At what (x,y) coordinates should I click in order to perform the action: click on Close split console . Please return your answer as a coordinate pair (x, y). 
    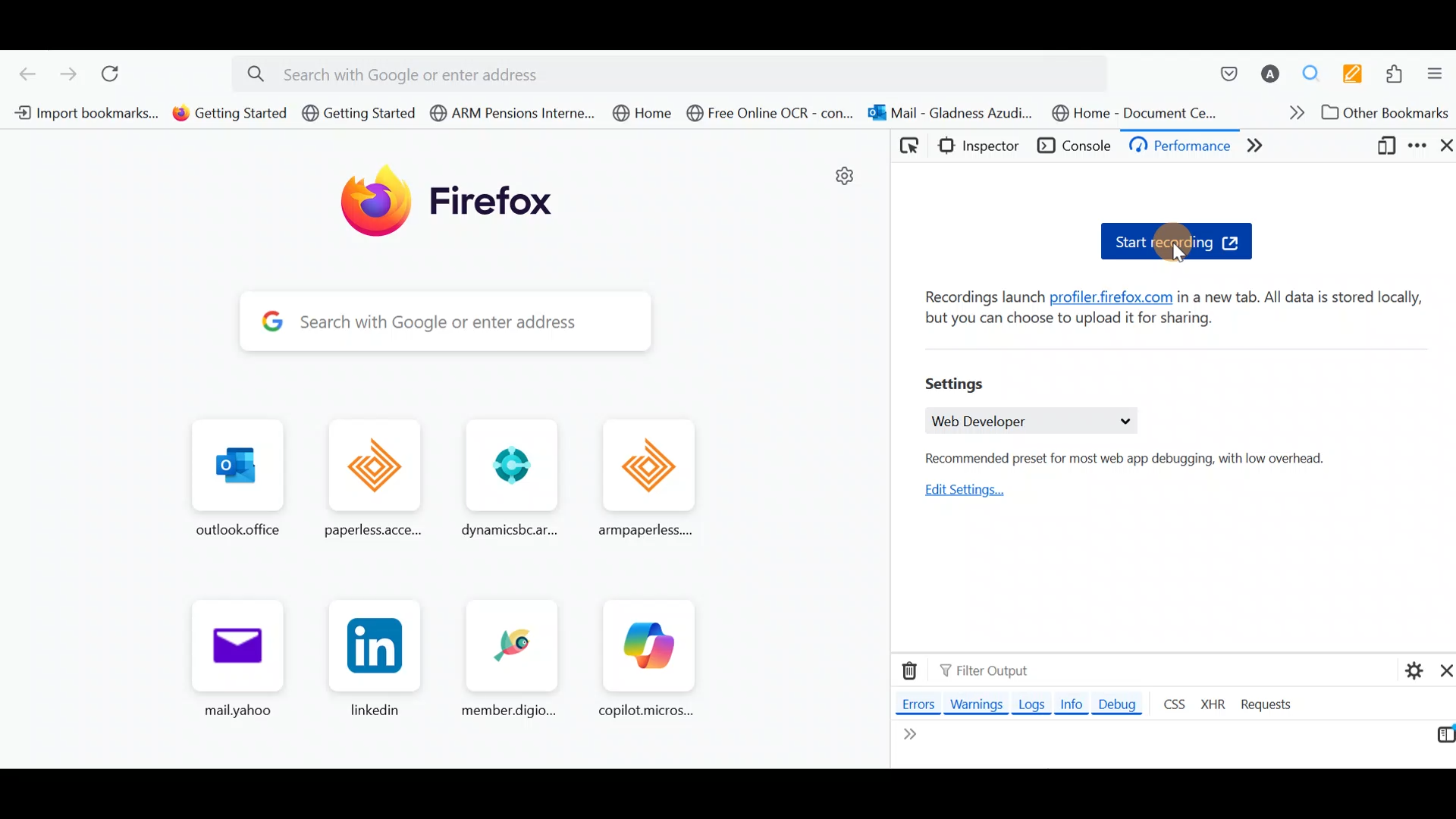
    Looking at the image, I should click on (1442, 670).